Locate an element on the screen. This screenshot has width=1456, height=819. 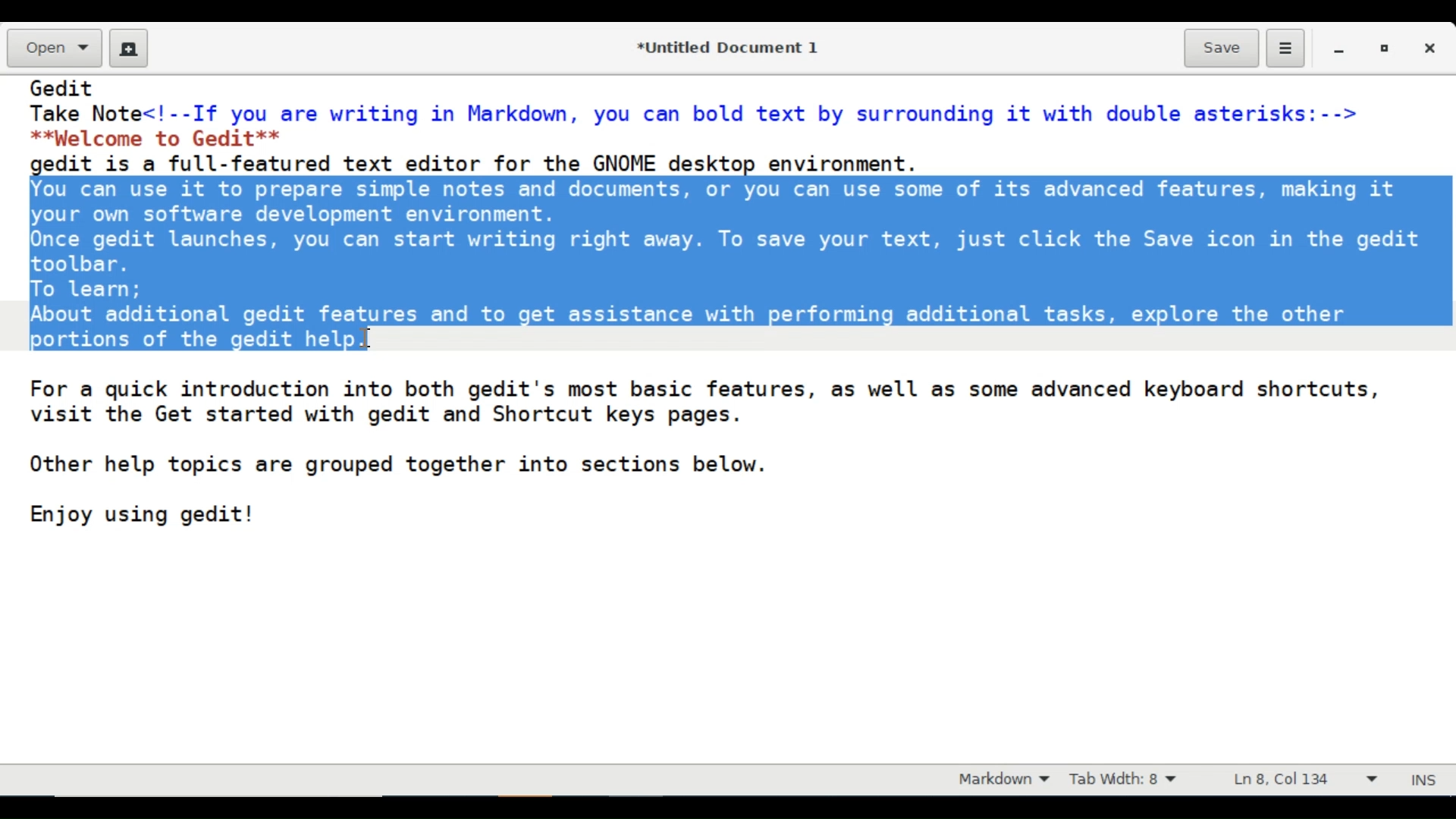
Insertion cursor is located at coordinates (368, 336).